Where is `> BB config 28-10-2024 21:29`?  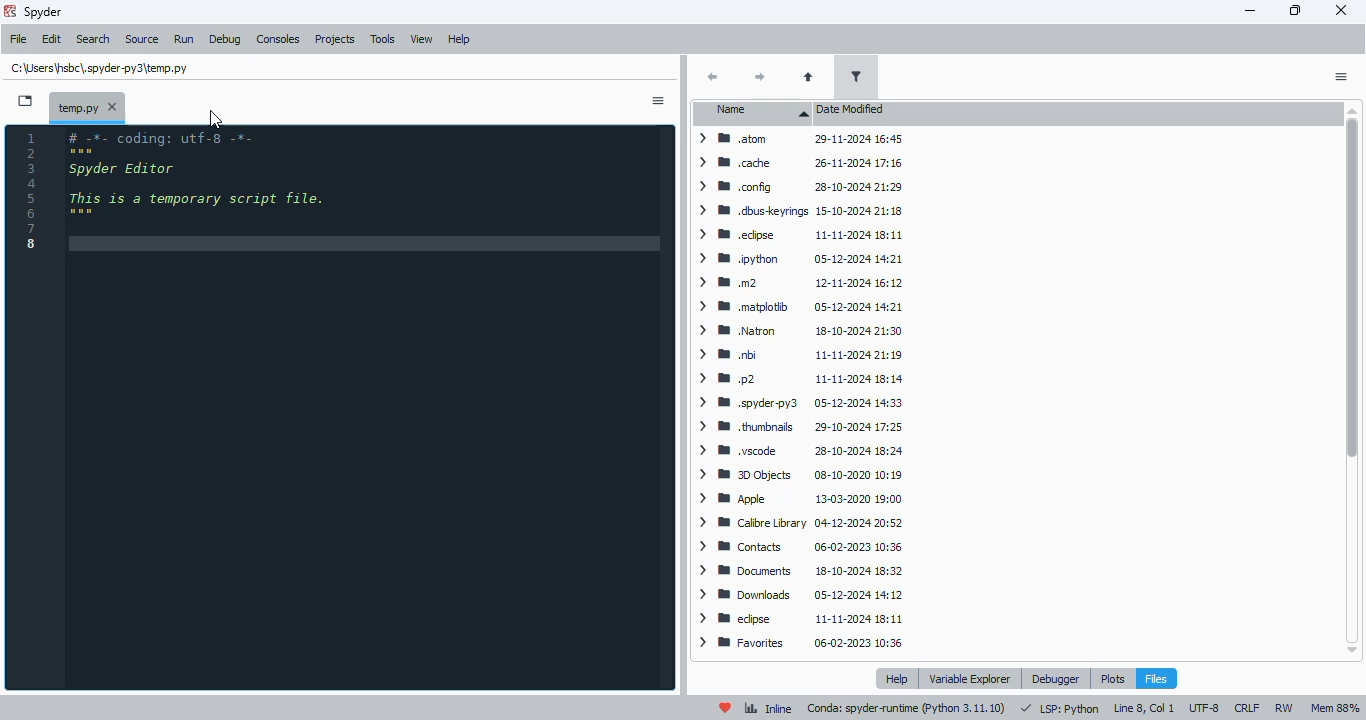 > BB config 28-10-2024 21:29 is located at coordinates (796, 188).